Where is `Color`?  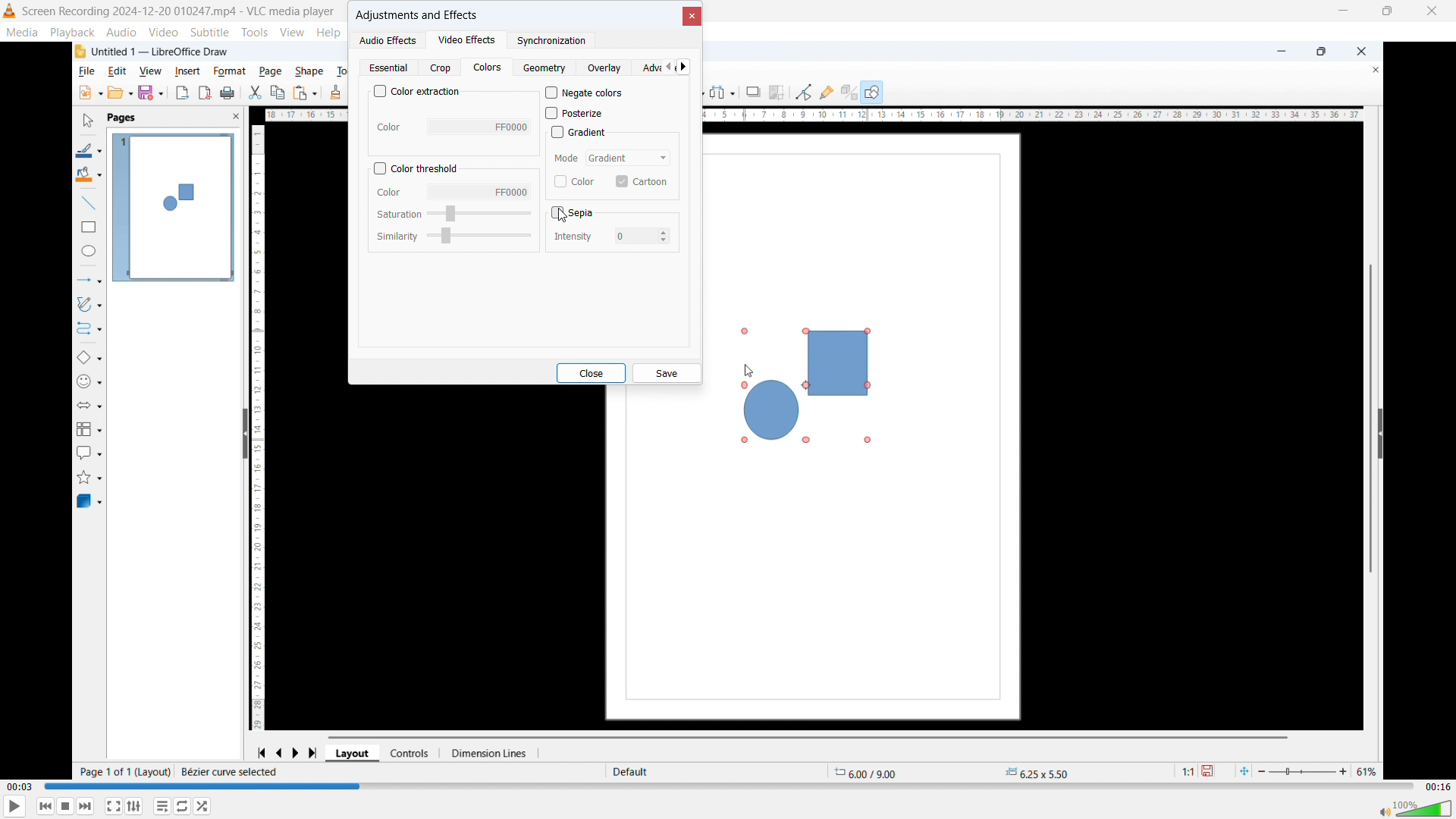
Color is located at coordinates (391, 128).